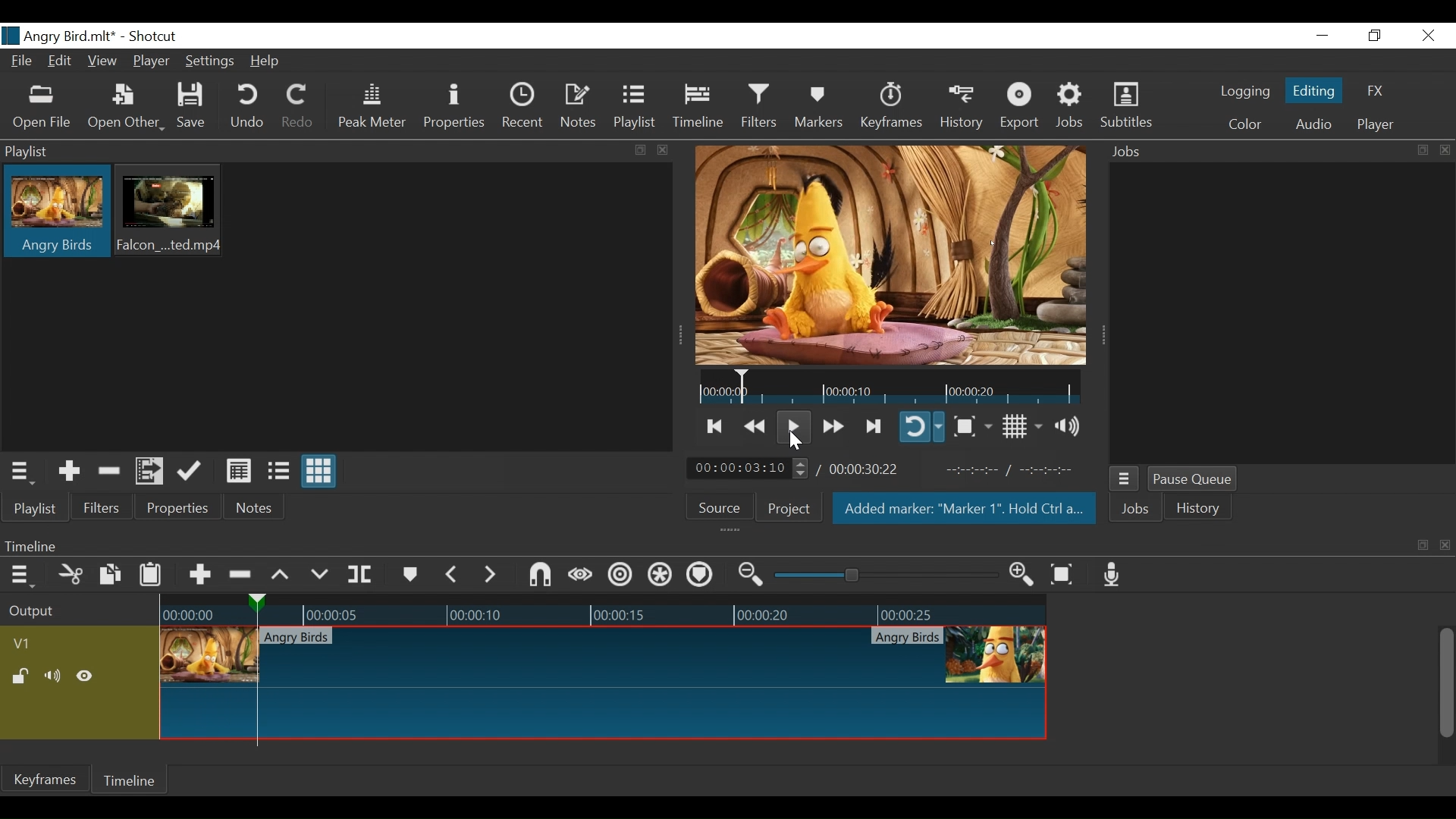  I want to click on FX, so click(1375, 90).